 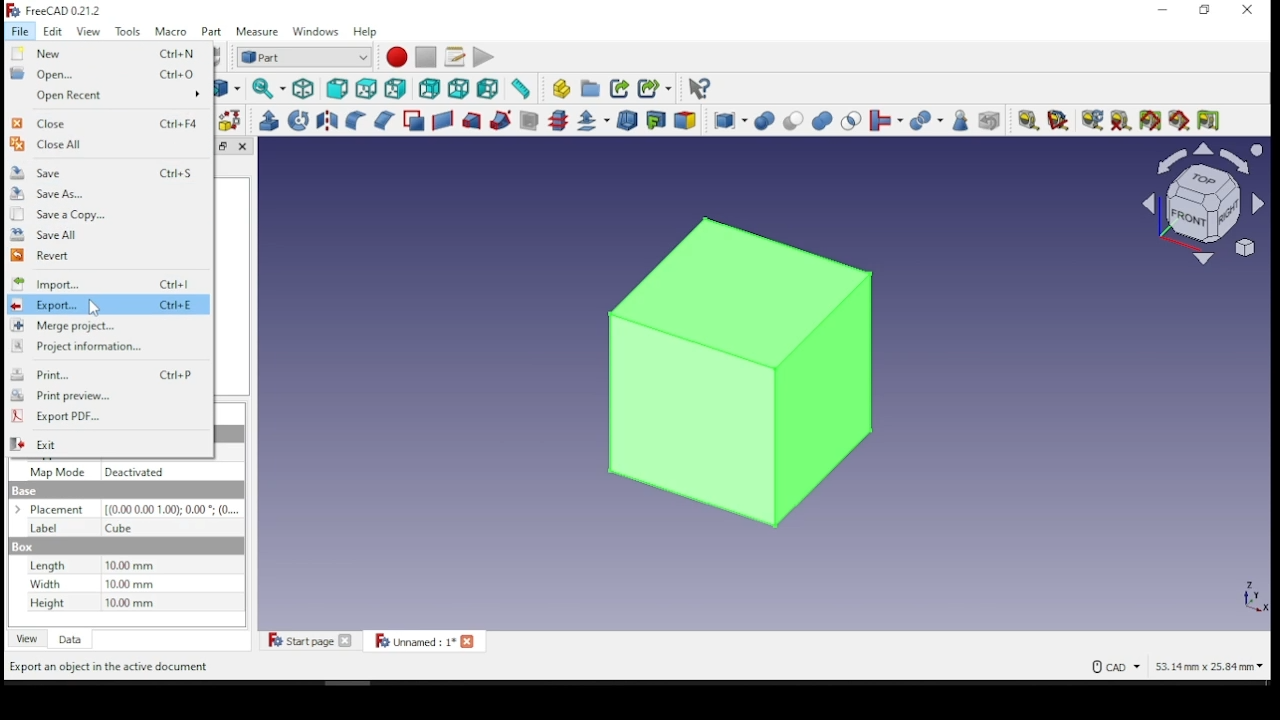 I want to click on view, so click(x=28, y=638).